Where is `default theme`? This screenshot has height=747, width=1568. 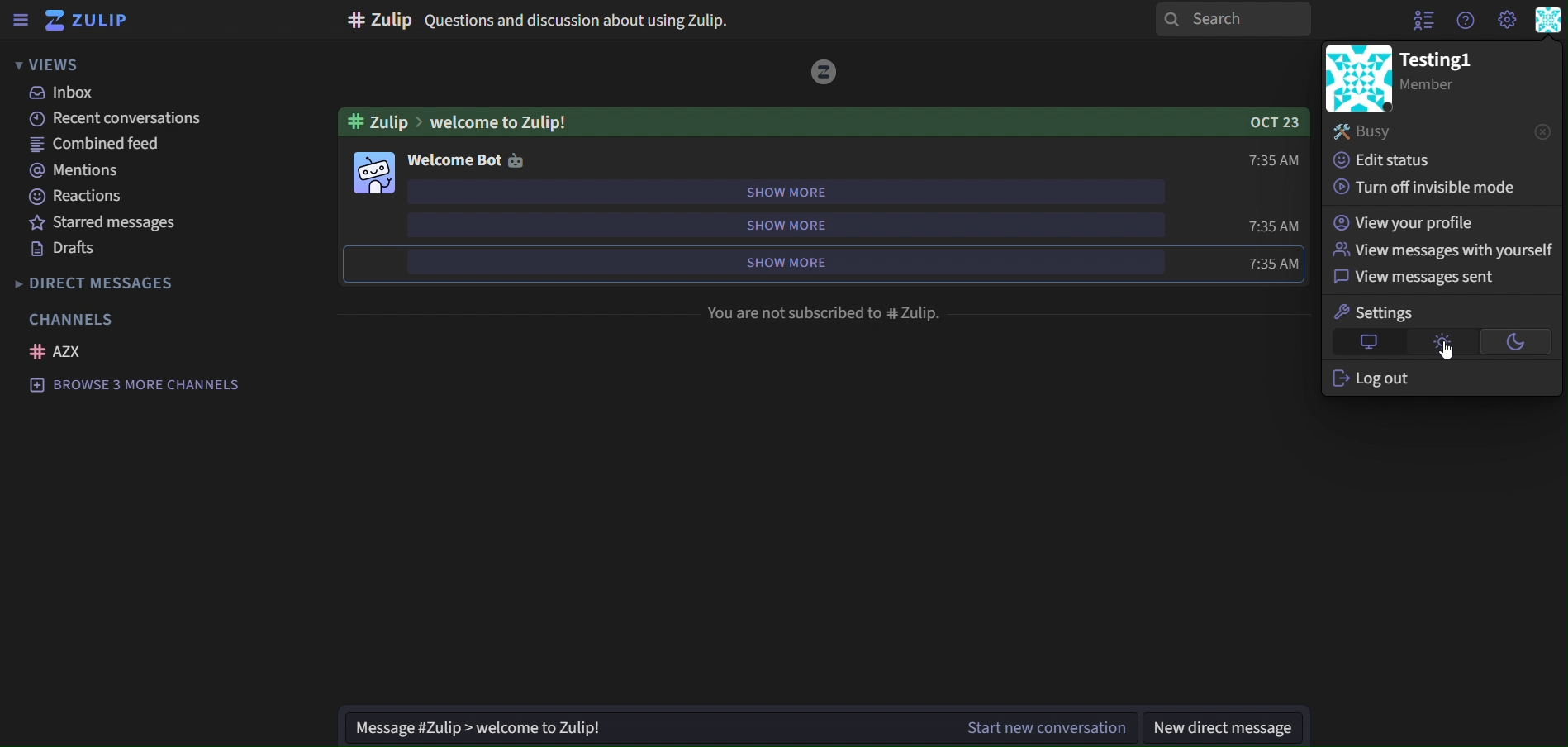
default theme is located at coordinates (1366, 343).